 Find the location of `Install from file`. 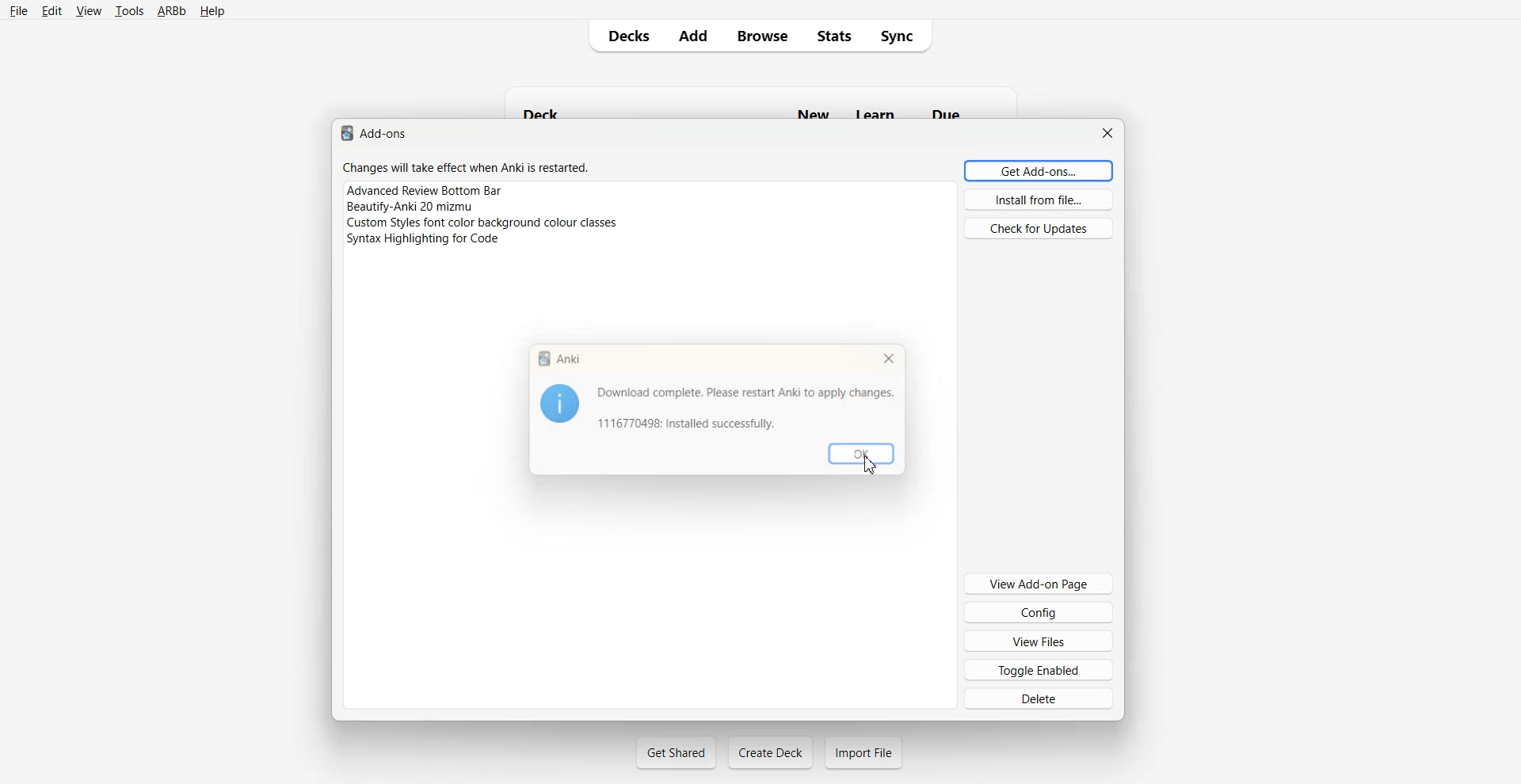

Install from file is located at coordinates (1039, 200).